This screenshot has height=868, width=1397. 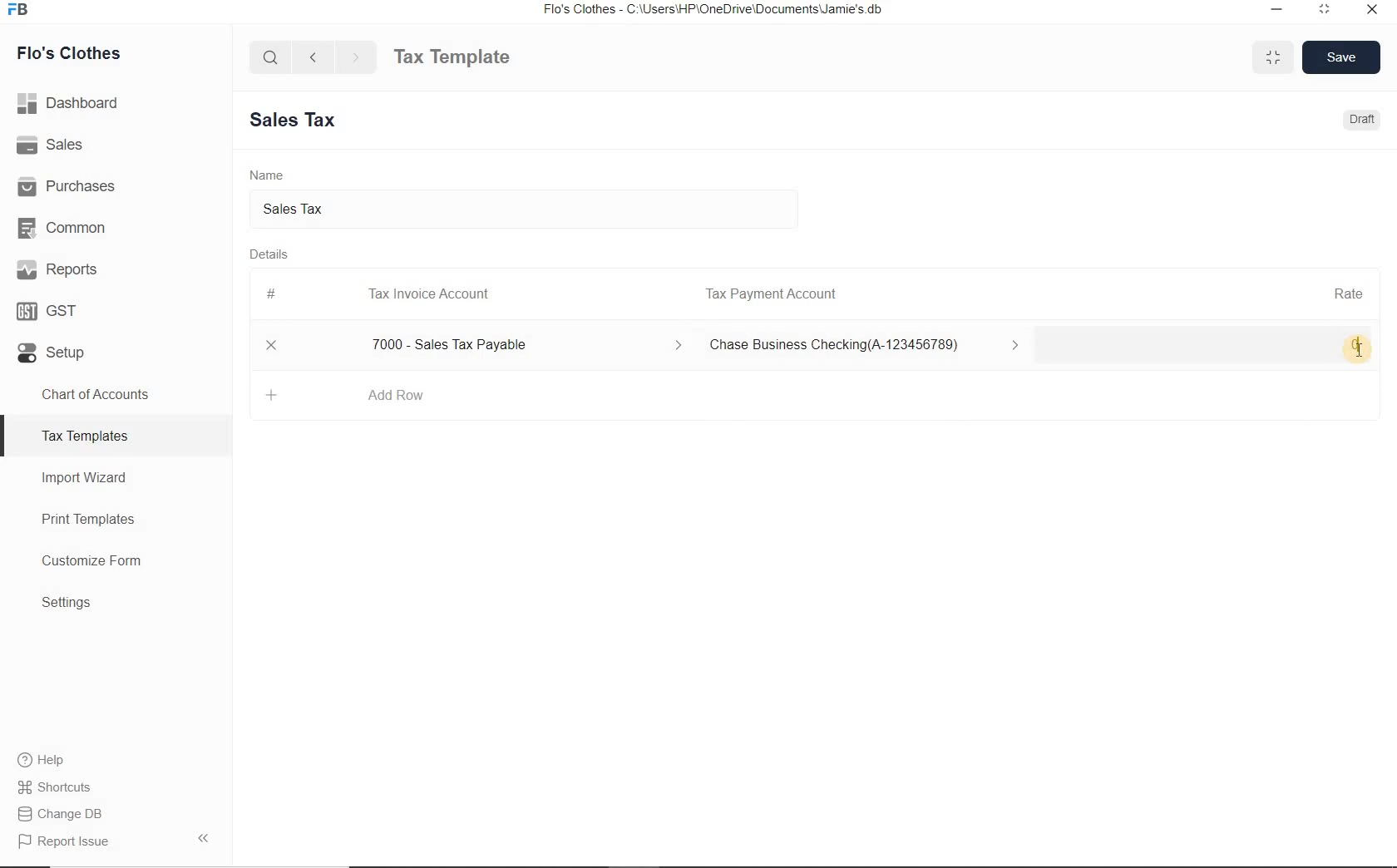 What do you see at coordinates (1212, 346) in the screenshot?
I see `0` at bounding box center [1212, 346].